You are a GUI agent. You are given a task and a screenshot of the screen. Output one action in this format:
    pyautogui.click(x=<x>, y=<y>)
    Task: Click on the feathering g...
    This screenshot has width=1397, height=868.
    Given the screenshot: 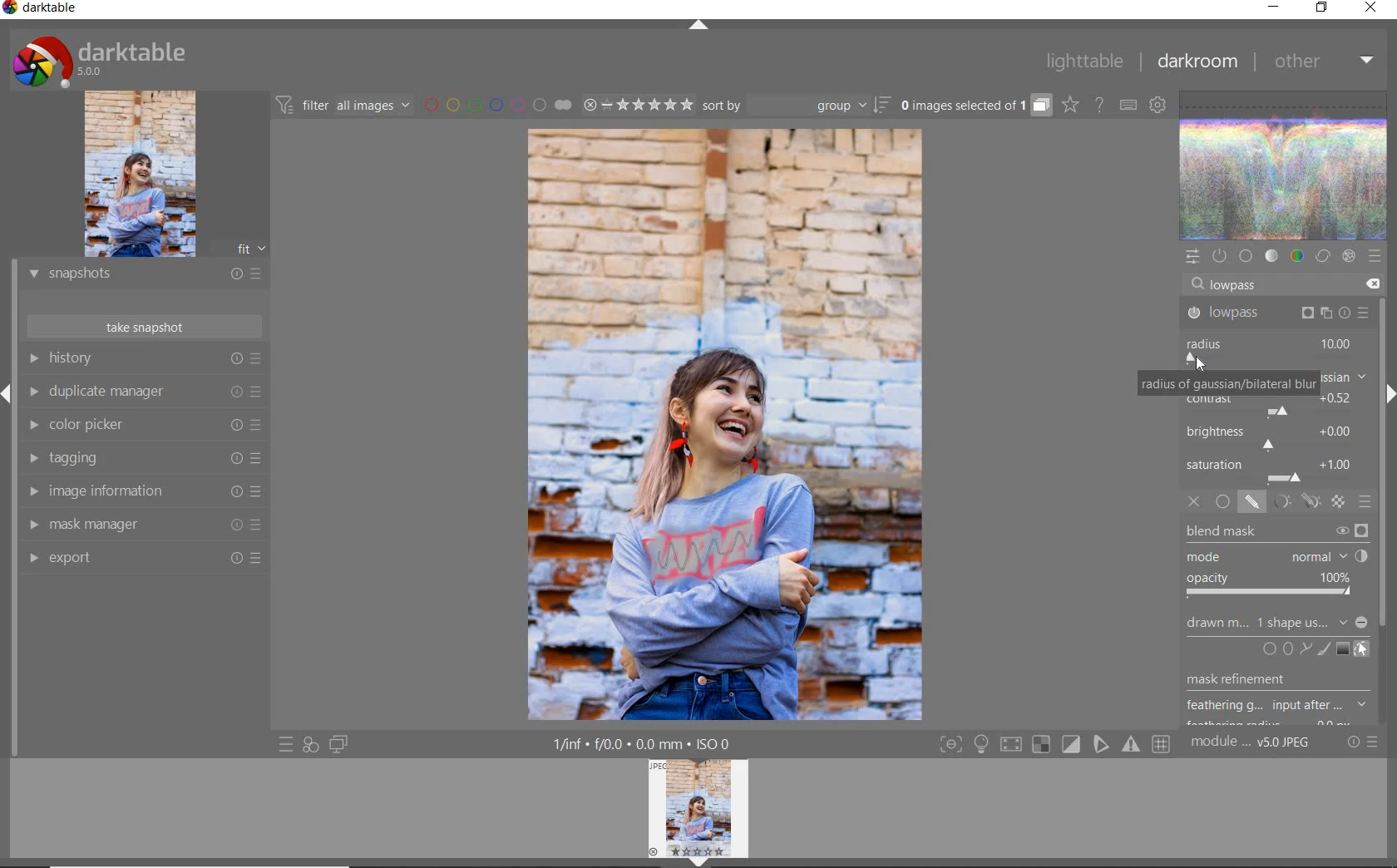 What is the action you would take?
    pyautogui.click(x=1279, y=706)
    